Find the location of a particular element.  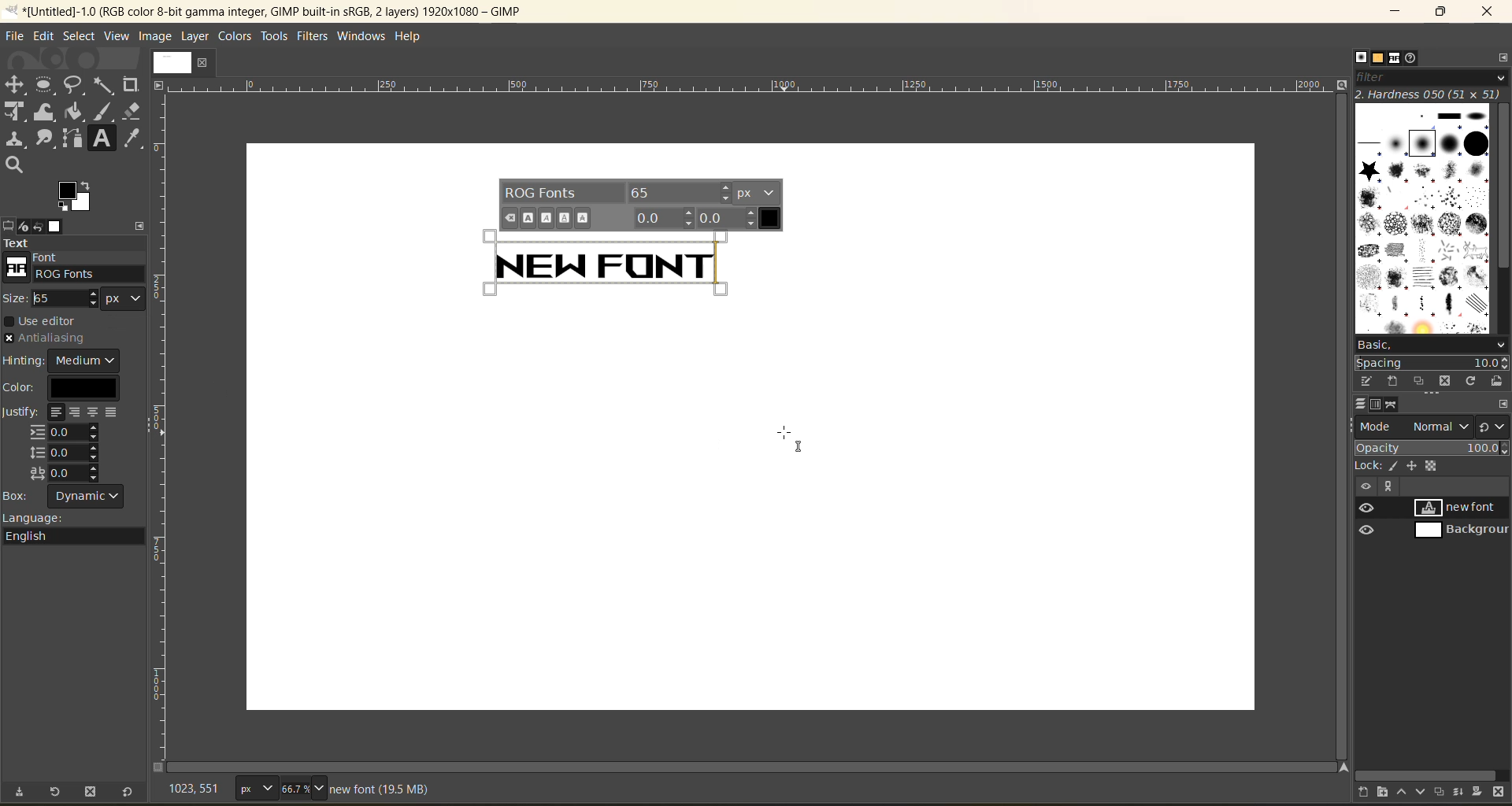

image is located at coordinates (157, 36).